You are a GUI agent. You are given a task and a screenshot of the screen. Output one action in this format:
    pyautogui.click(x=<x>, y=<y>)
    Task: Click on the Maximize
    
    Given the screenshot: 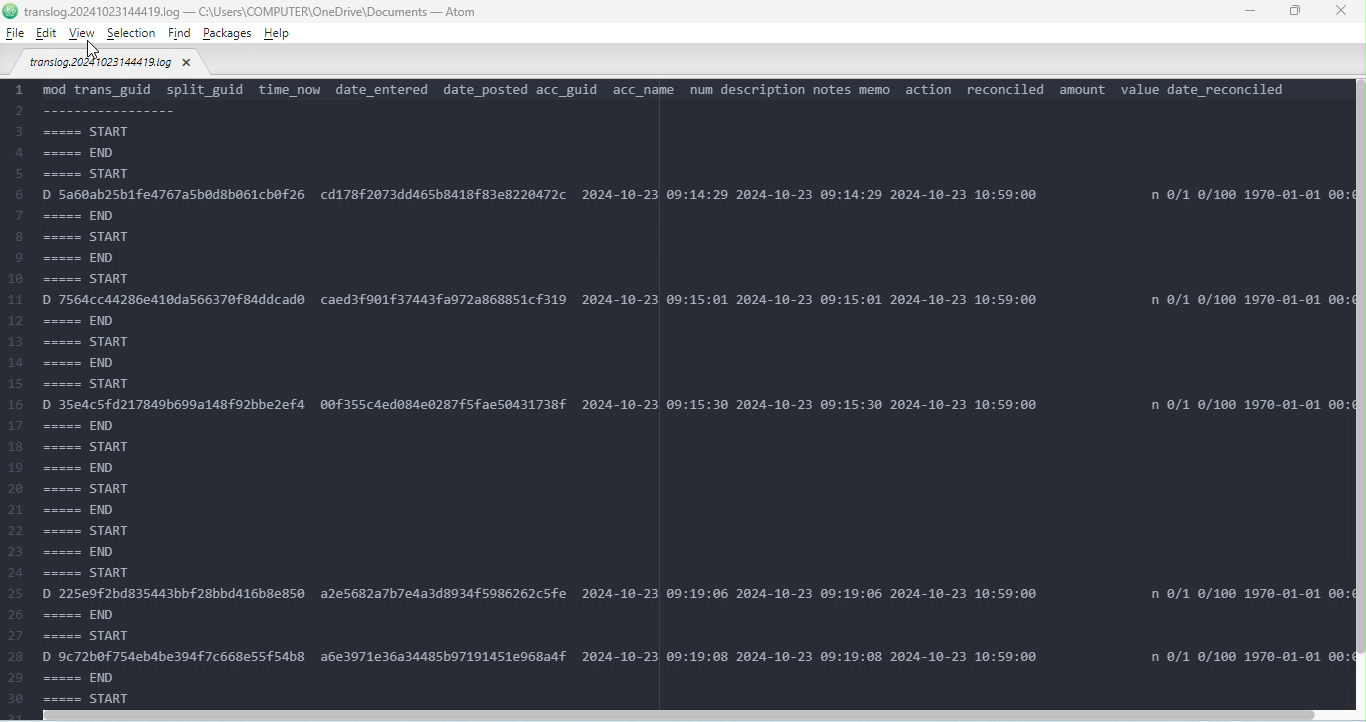 What is the action you would take?
    pyautogui.click(x=1296, y=12)
    